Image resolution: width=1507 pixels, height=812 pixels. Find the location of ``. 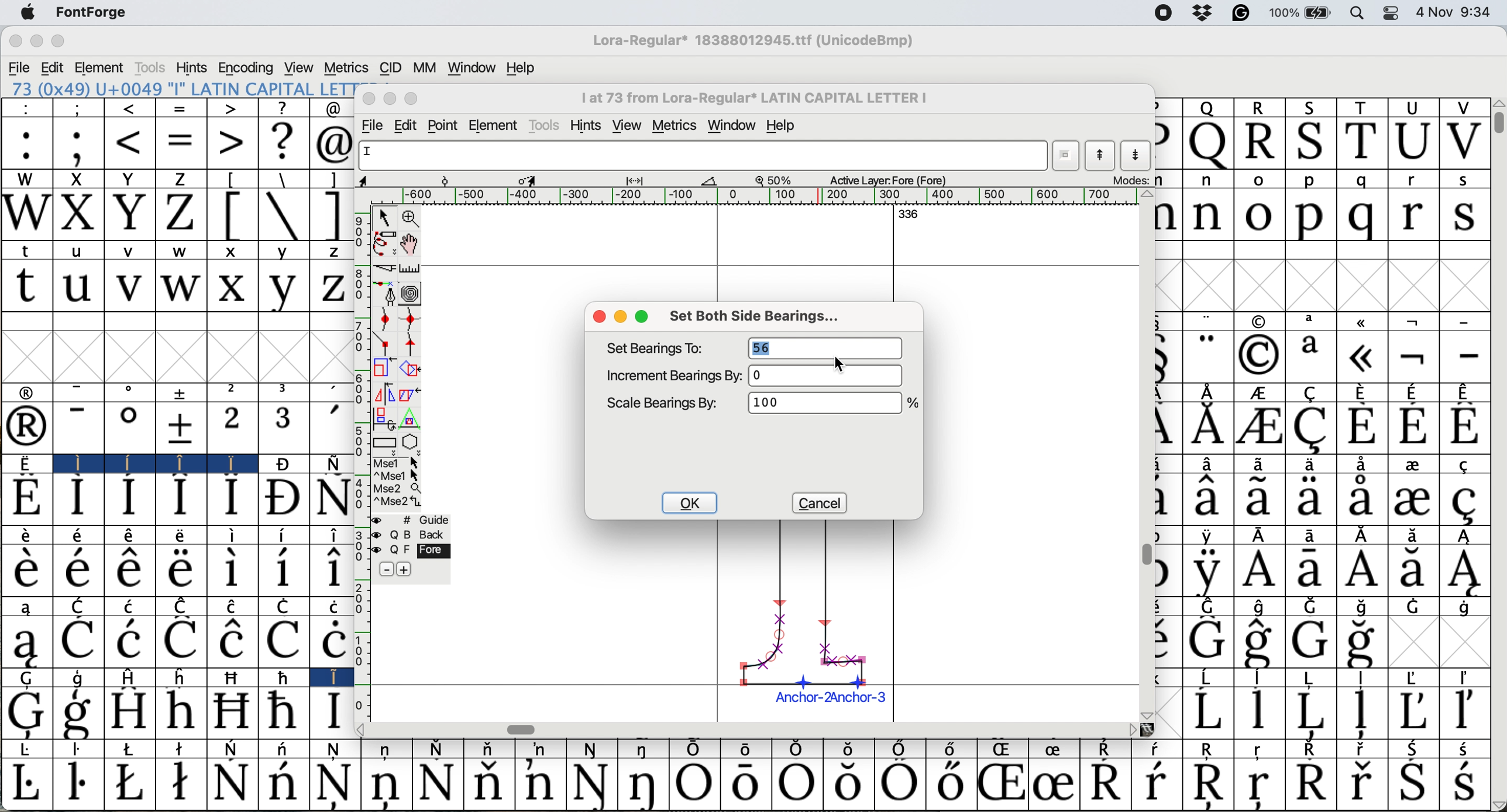

 is located at coordinates (1498, 804).